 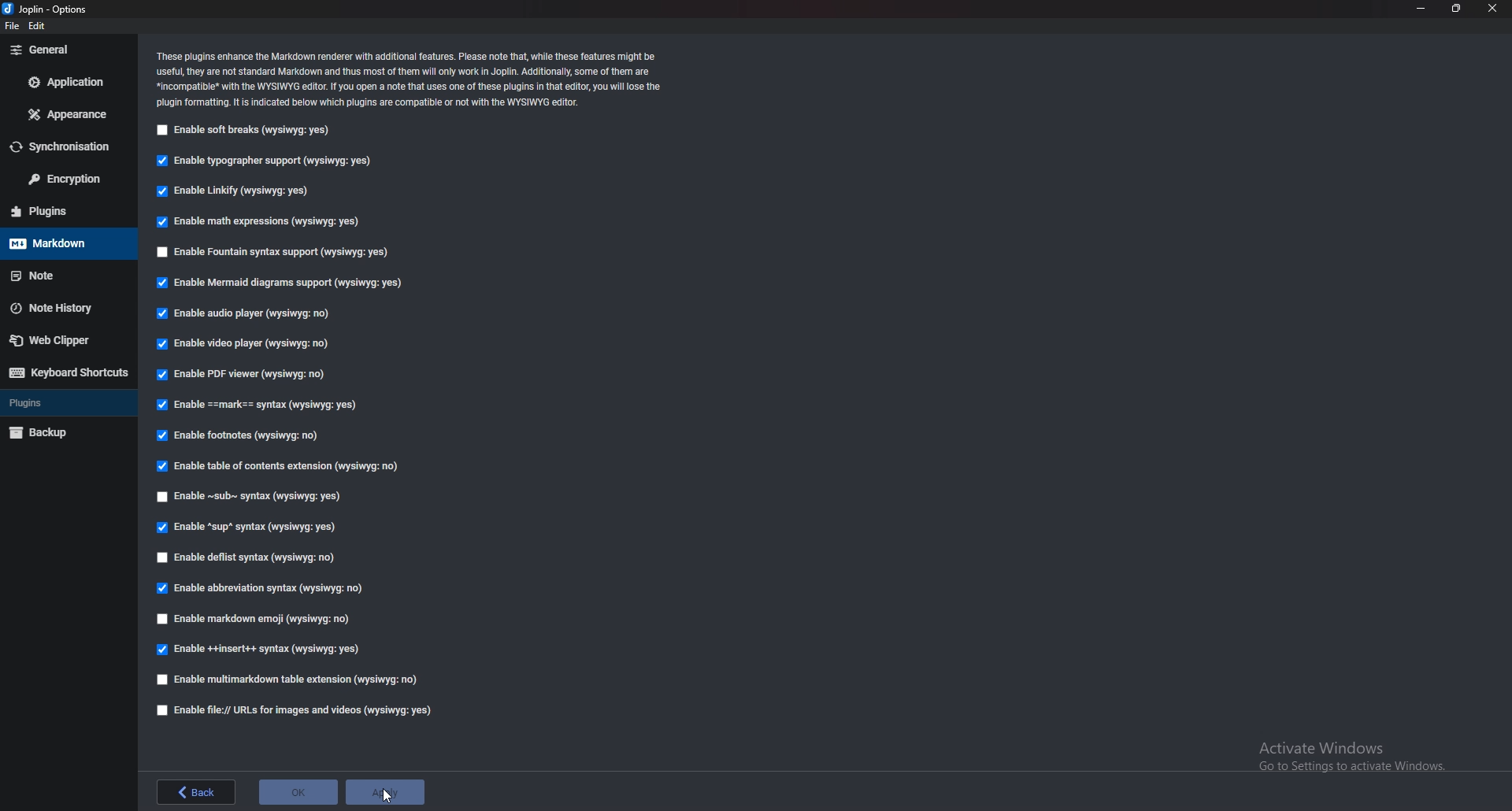 I want to click on file, so click(x=13, y=25).